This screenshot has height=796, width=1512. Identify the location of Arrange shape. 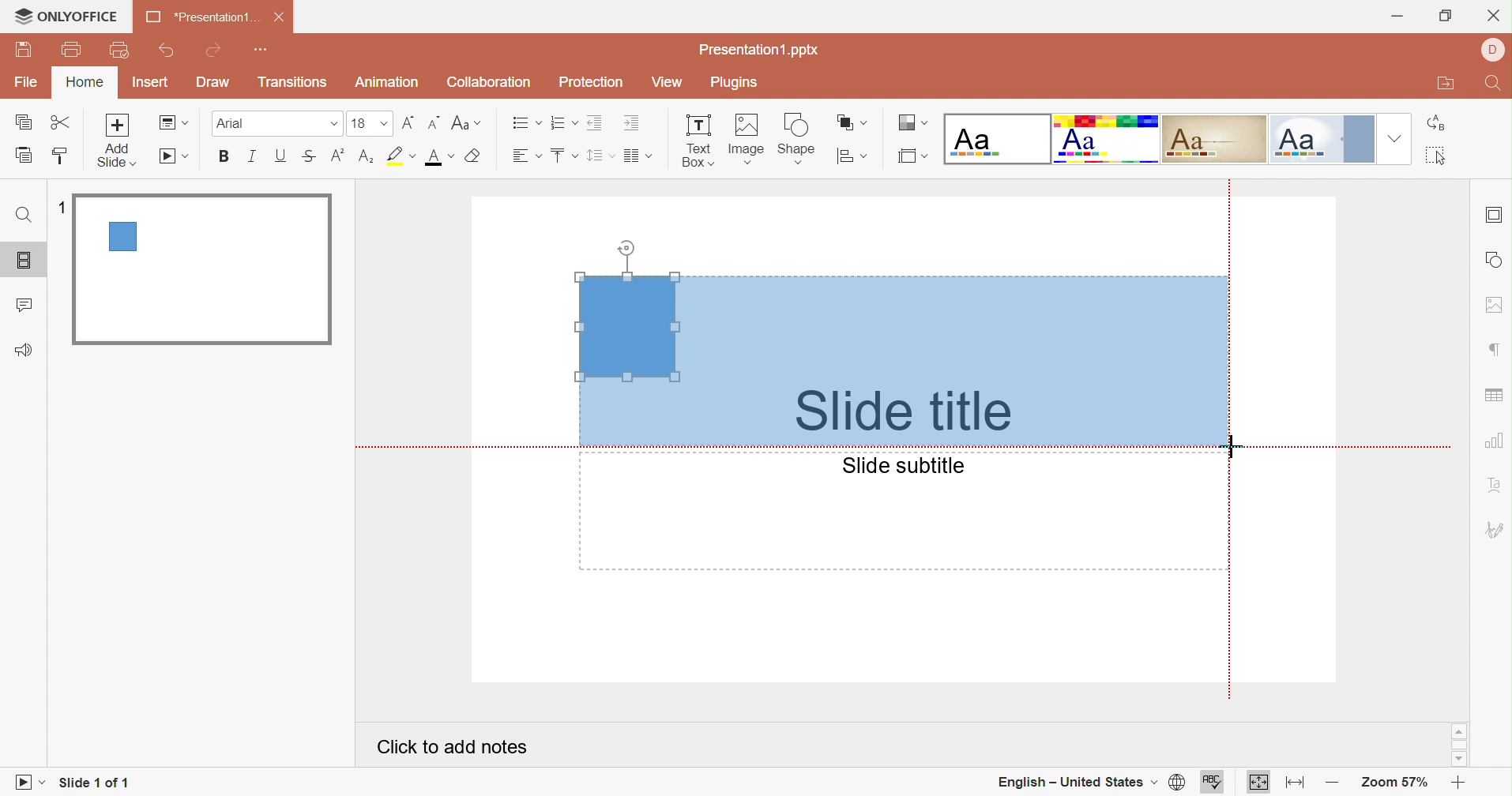
(850, 123).